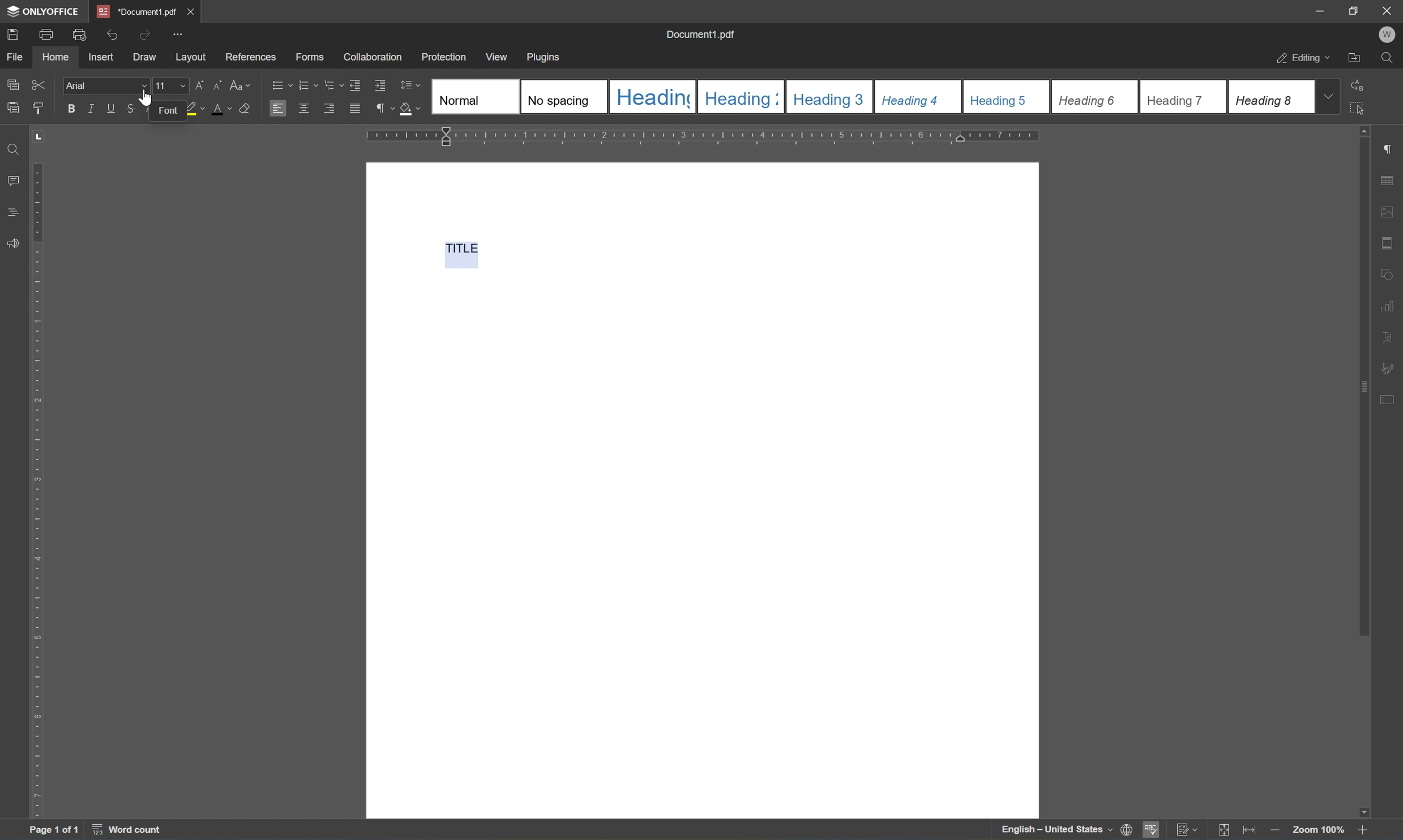 This screenshot has height=840, width=1403. Describe the element at coordinates (1187, 830) in the screenshot. I see `track changes` at that location.